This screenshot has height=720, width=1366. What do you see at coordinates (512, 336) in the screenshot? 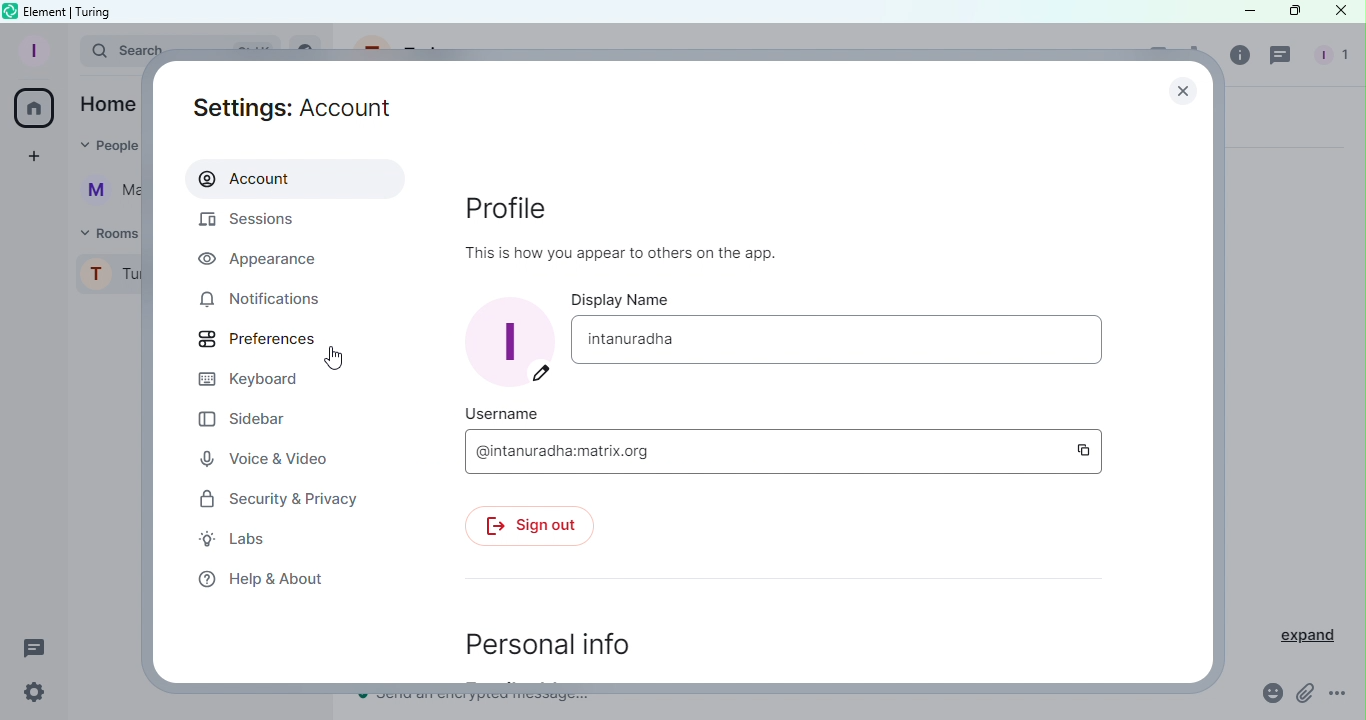
I see `Display image` at bounding box center [512, 336].